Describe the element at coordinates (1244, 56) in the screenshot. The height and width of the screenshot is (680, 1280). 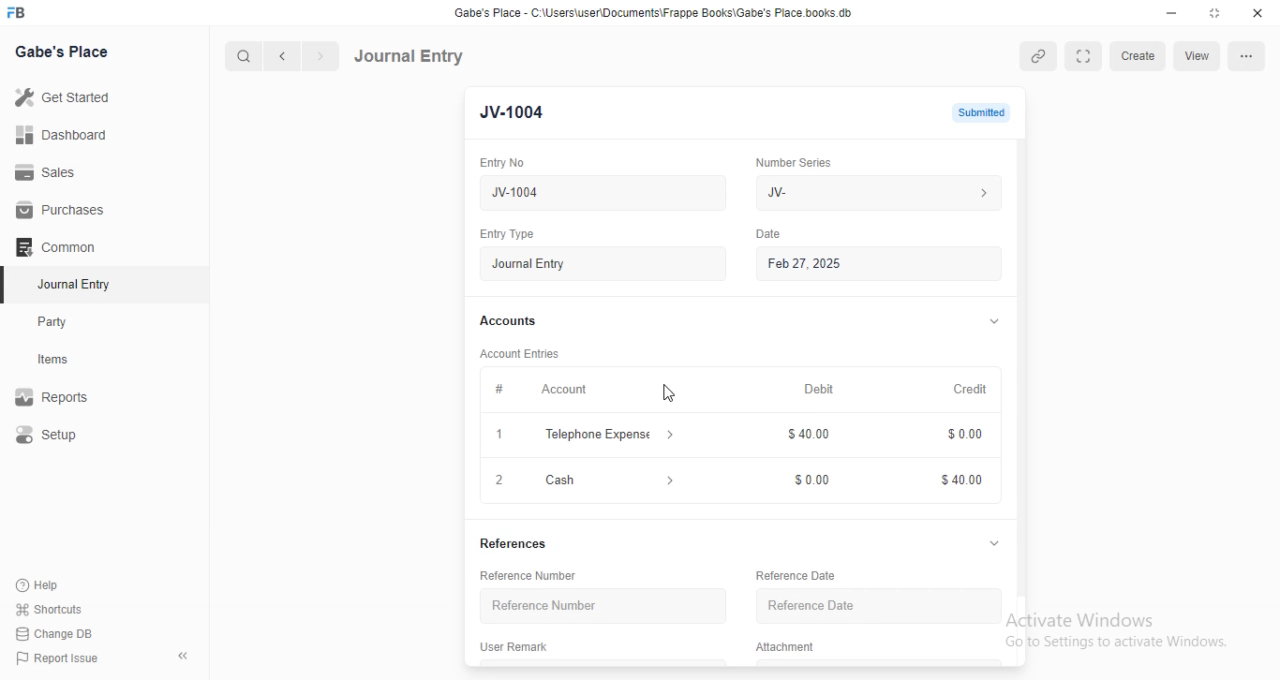
I see `More options` at that location.